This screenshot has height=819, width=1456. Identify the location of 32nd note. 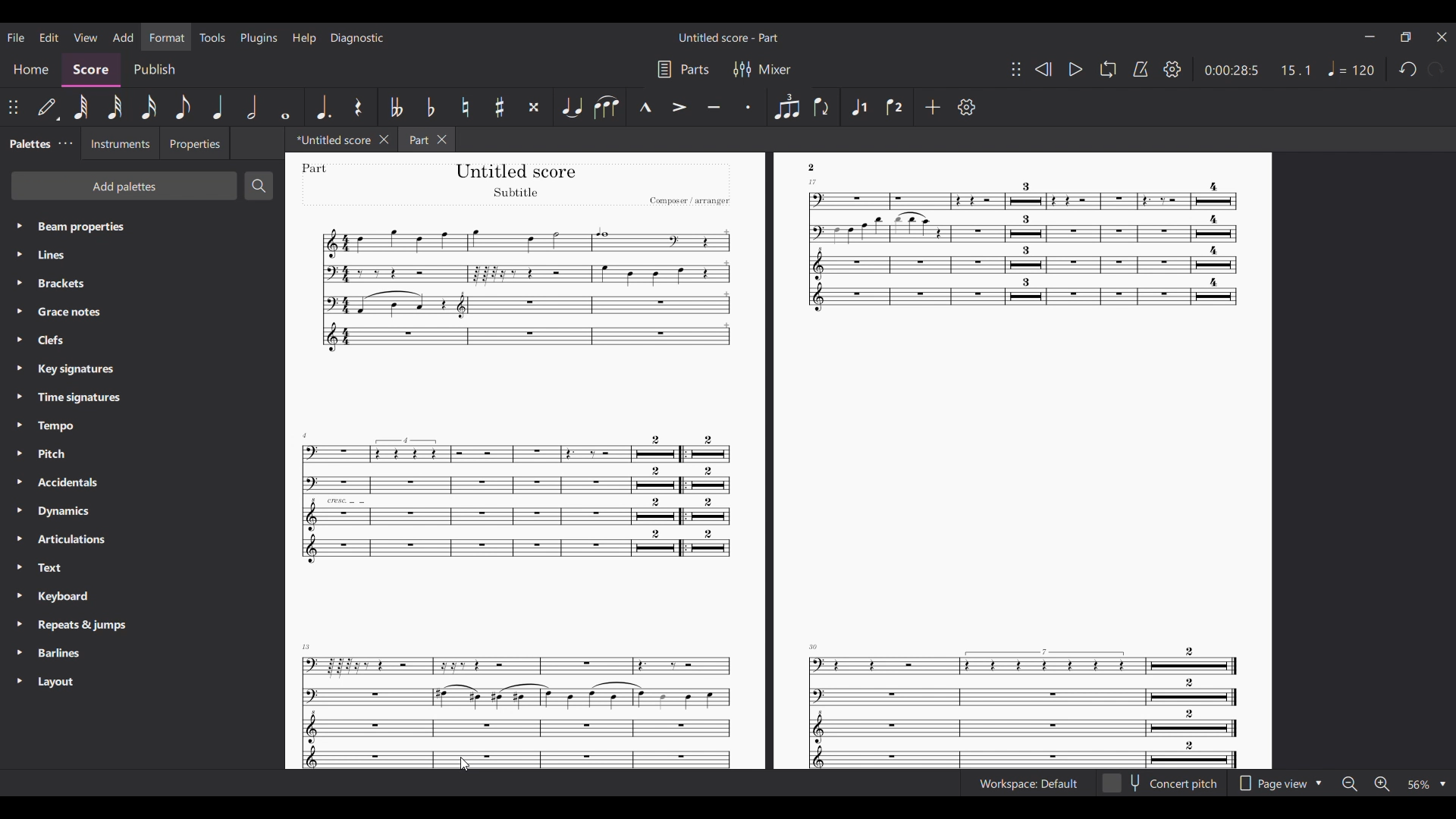
(116, 108).